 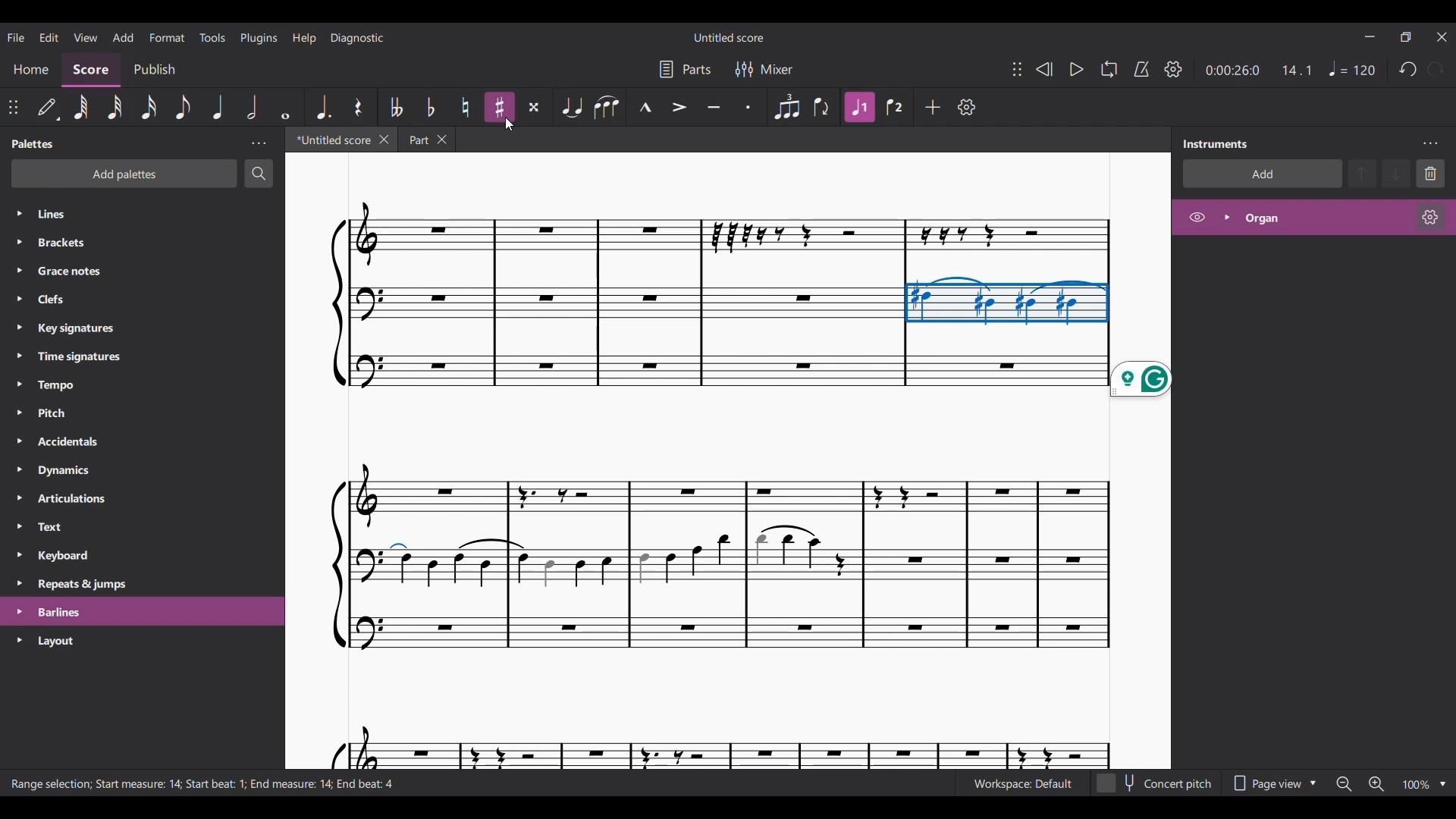 I want to click on Quarter note, so click(x=218, y=108).